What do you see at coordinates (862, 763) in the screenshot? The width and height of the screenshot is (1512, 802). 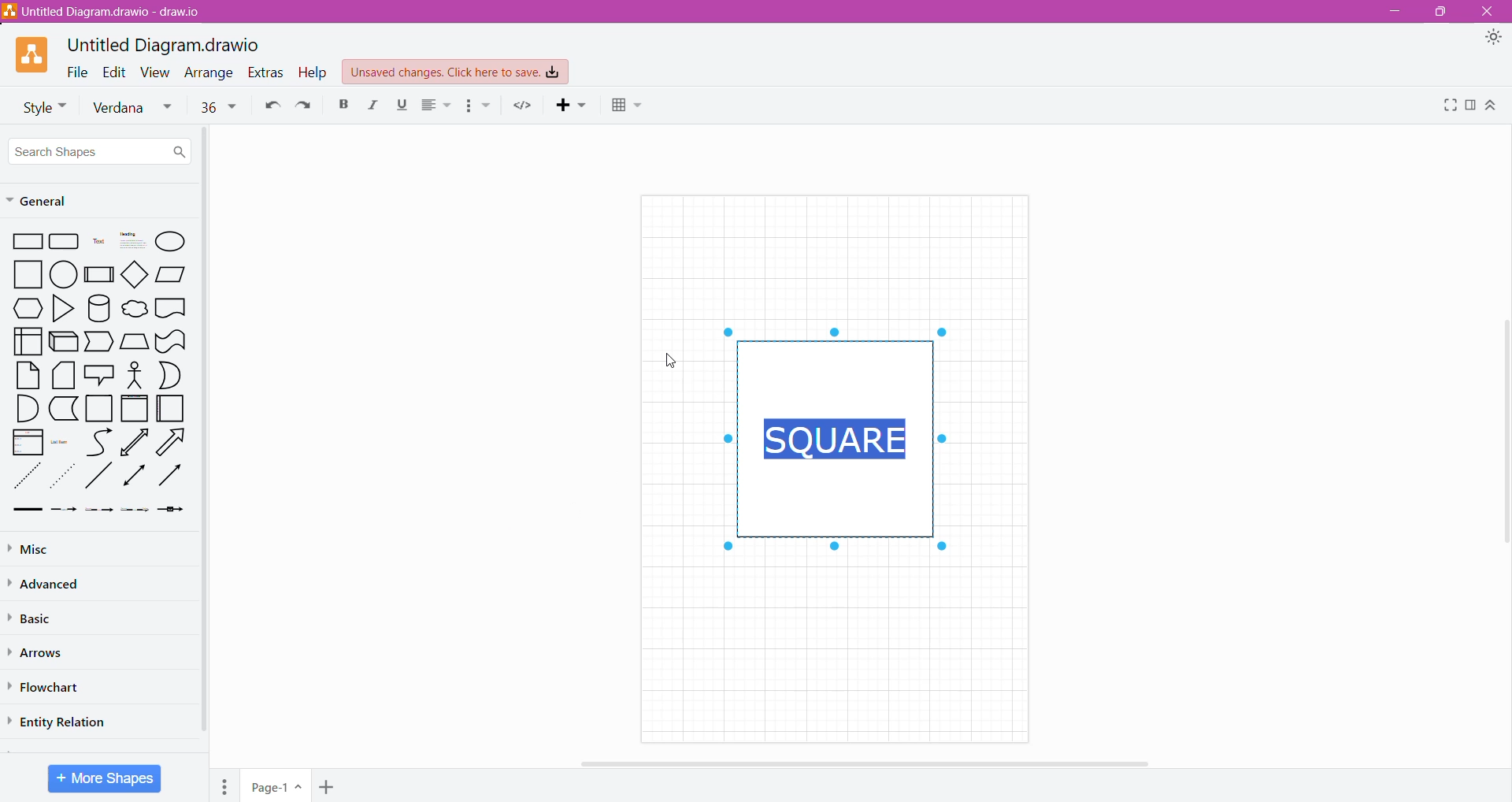 I see `Horizontal Scroll Bar` at bounding box center [862, 763].